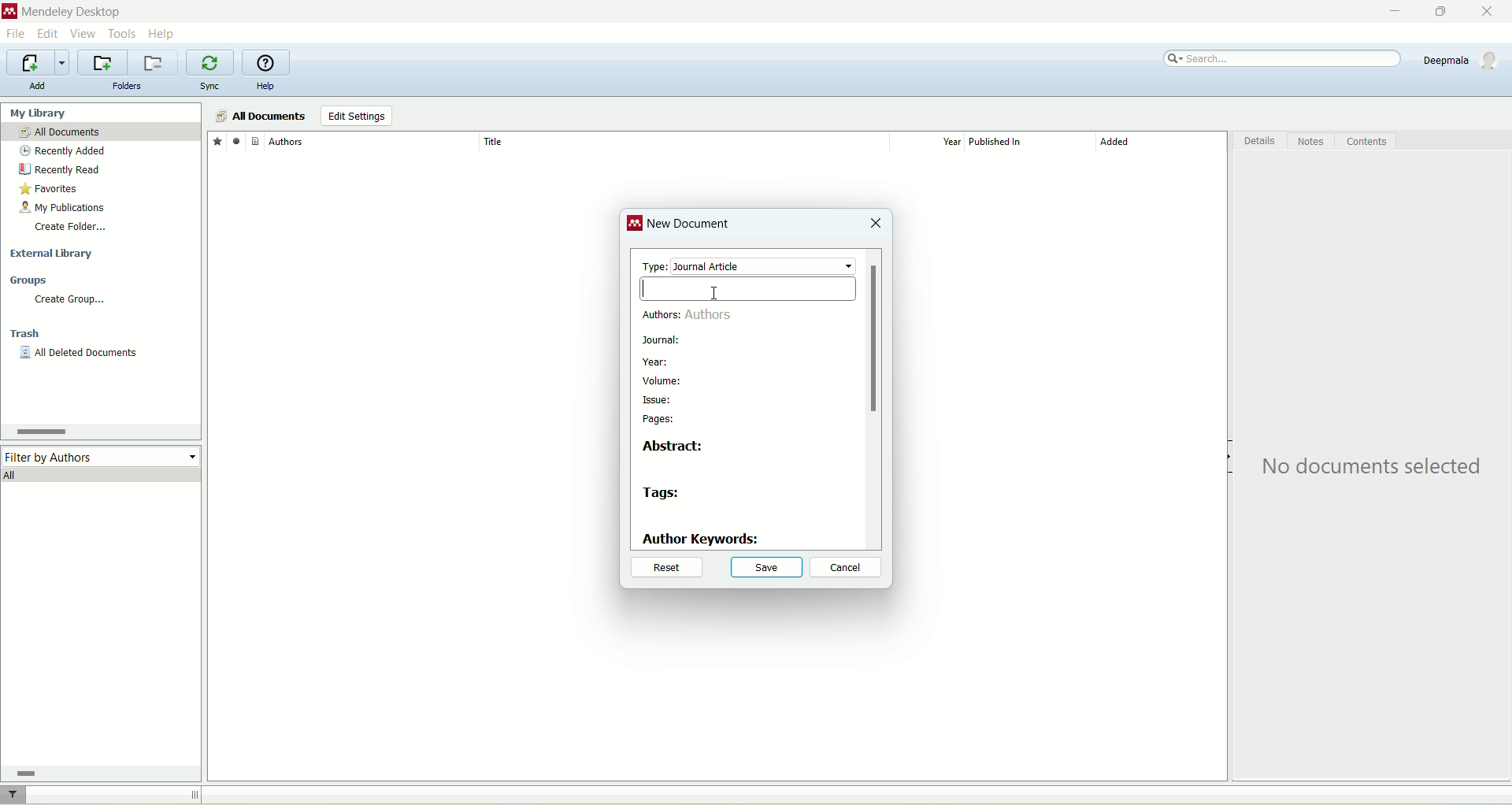 The height and width of the screenshot is (805, 1512). I want to click on vertical scroll bar, so click(873, 398).